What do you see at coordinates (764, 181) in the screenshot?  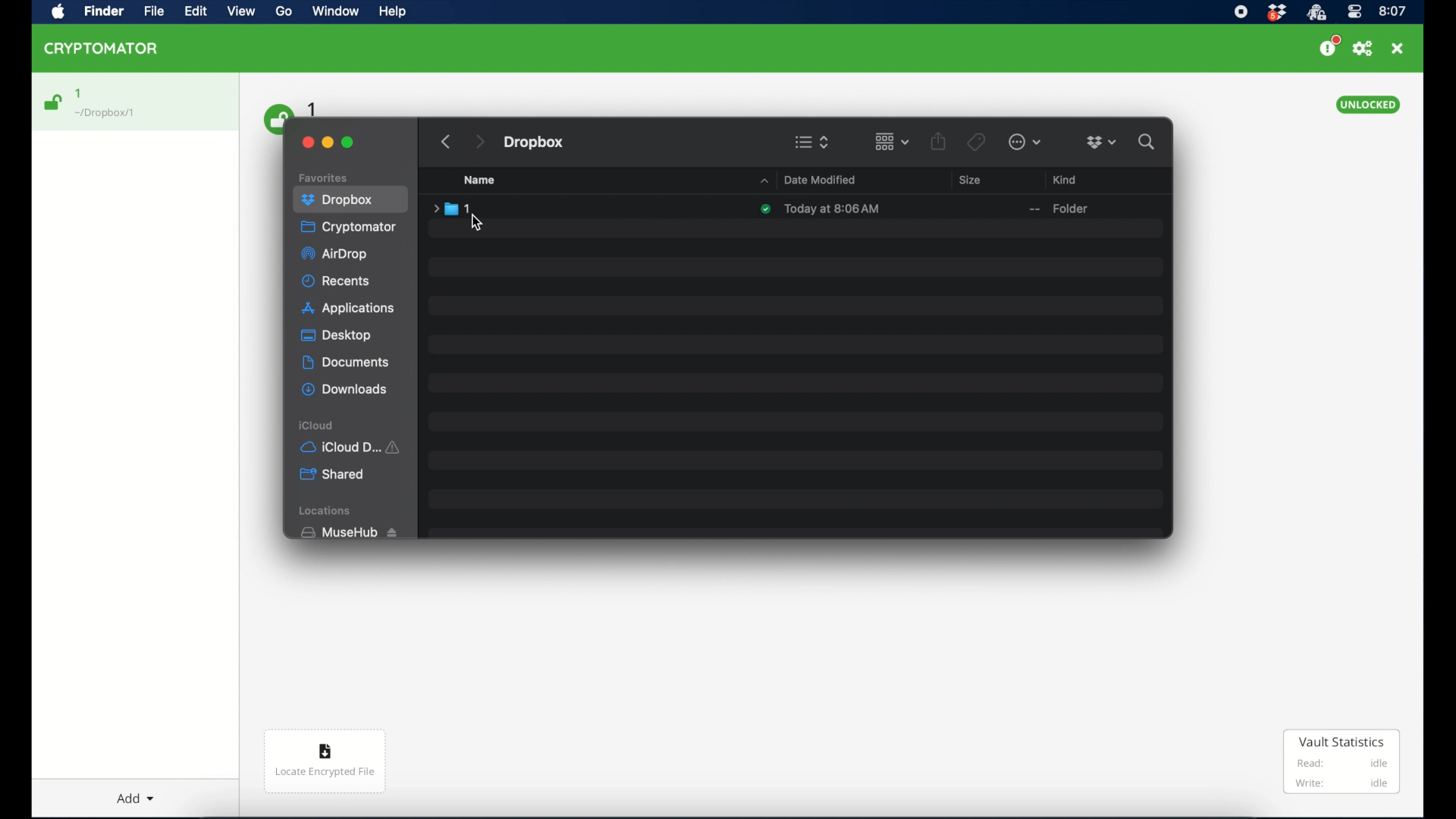 I see `dropdown` at bounding box center [764, 181].